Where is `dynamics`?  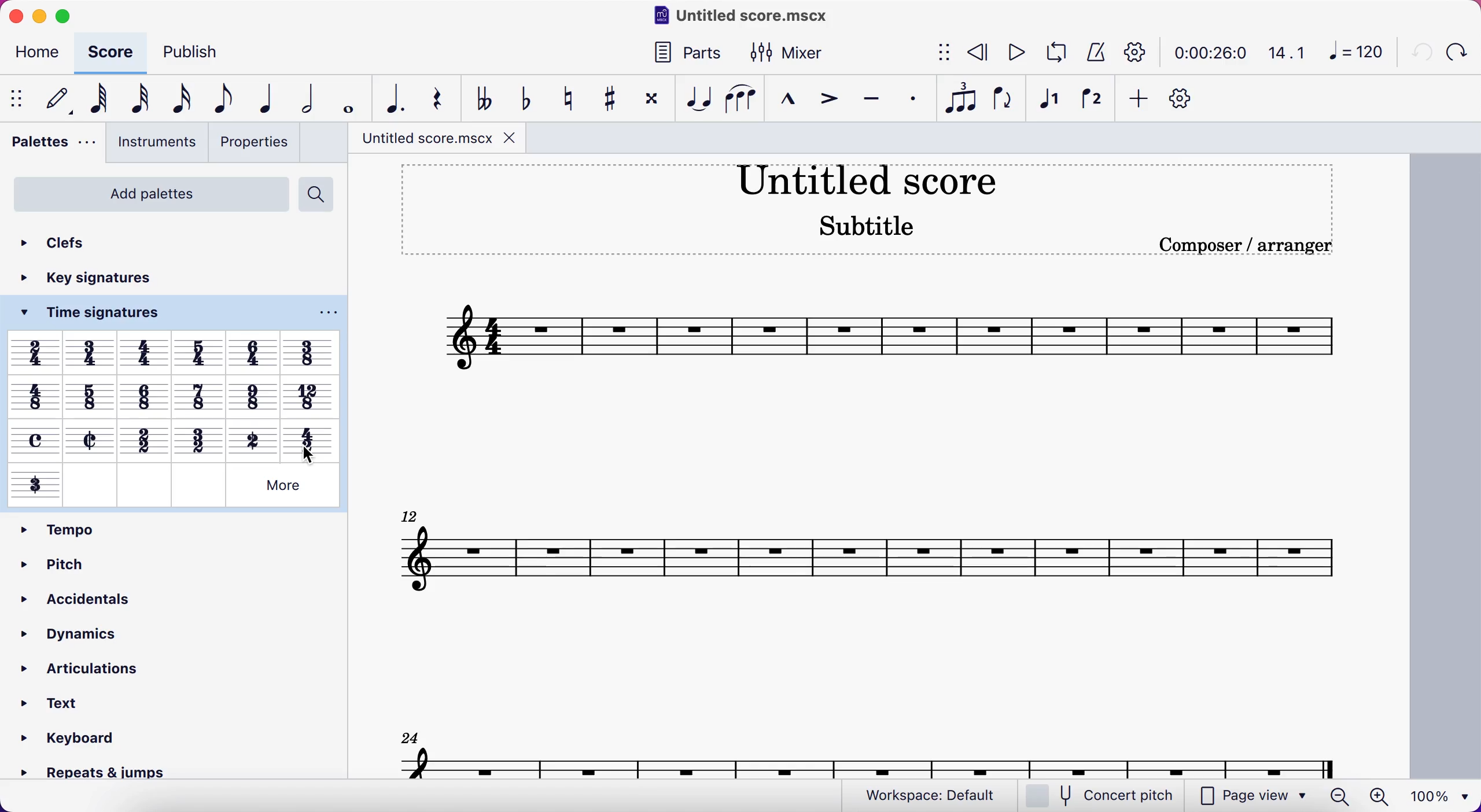 dynamics is located at coordinates (83, 630).